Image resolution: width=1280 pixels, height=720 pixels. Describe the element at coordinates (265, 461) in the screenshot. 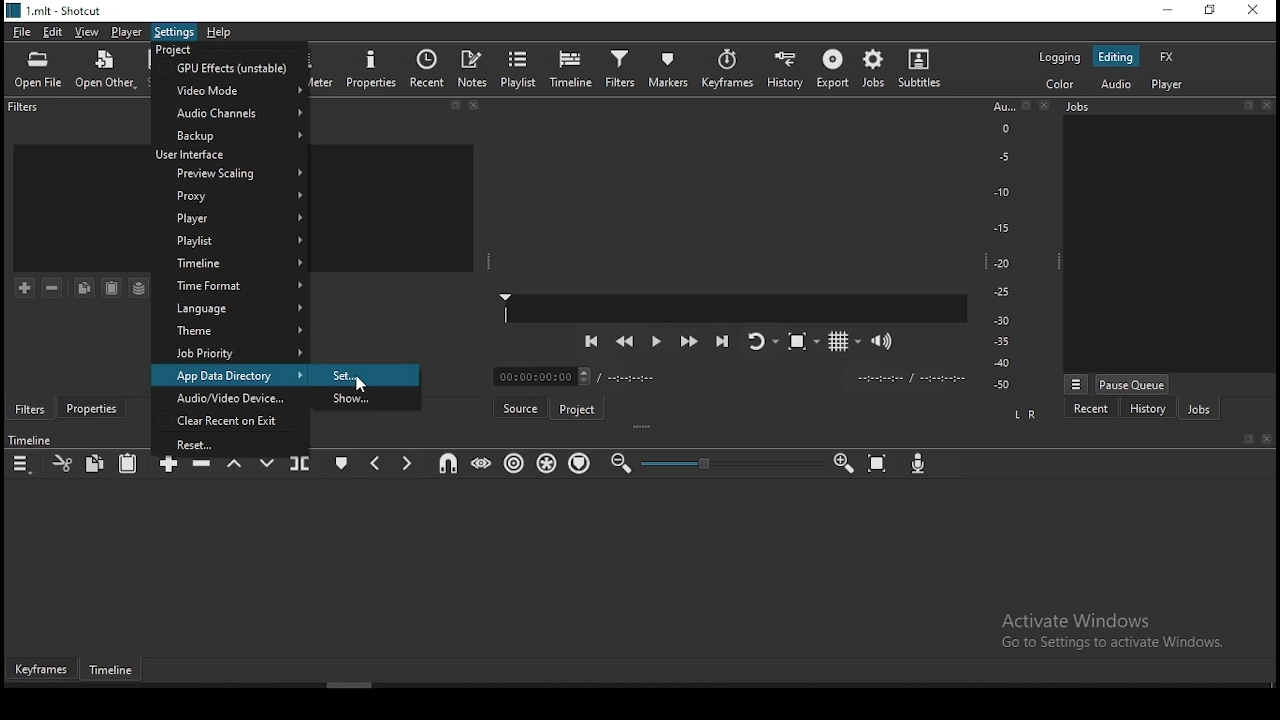

I see `overwrite` at that location.